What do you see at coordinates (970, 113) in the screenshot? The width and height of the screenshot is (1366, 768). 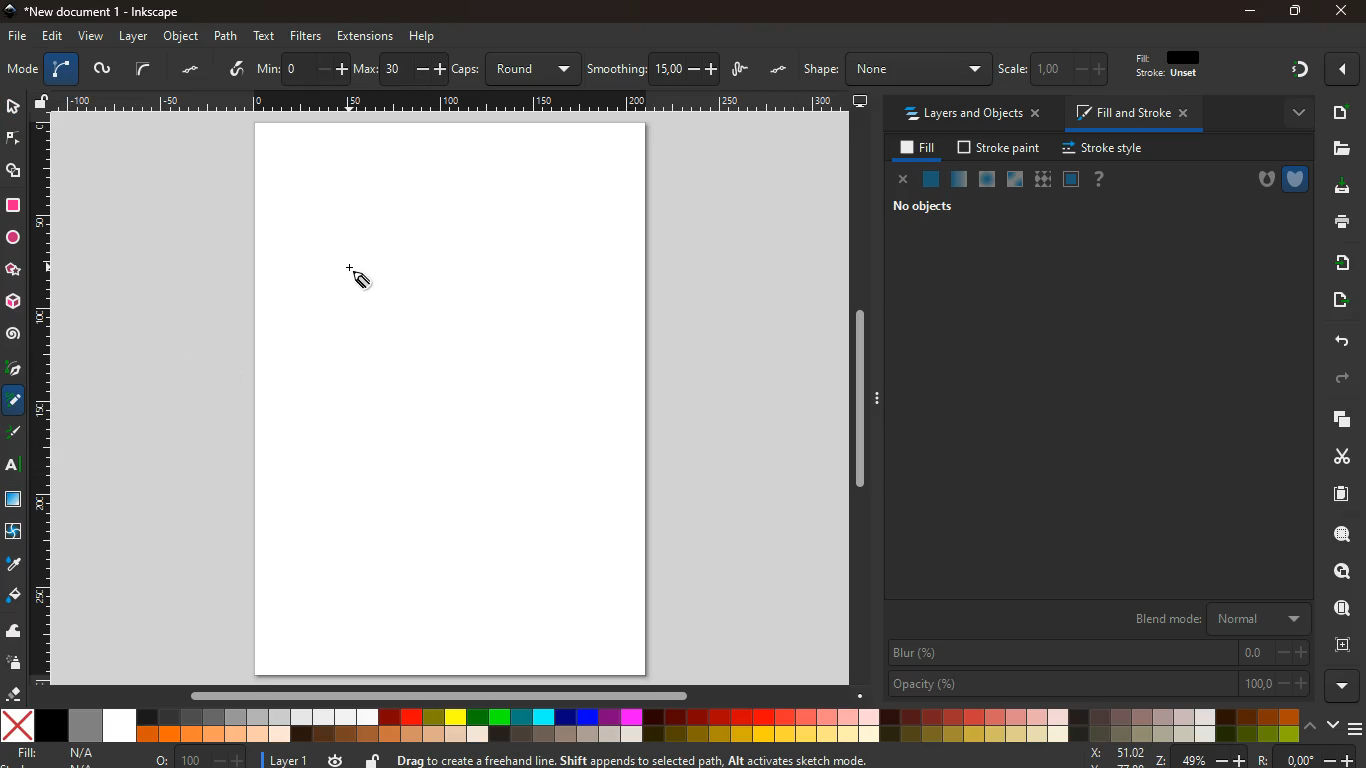 I see `layers and objects` at bounding box center [970, 113].